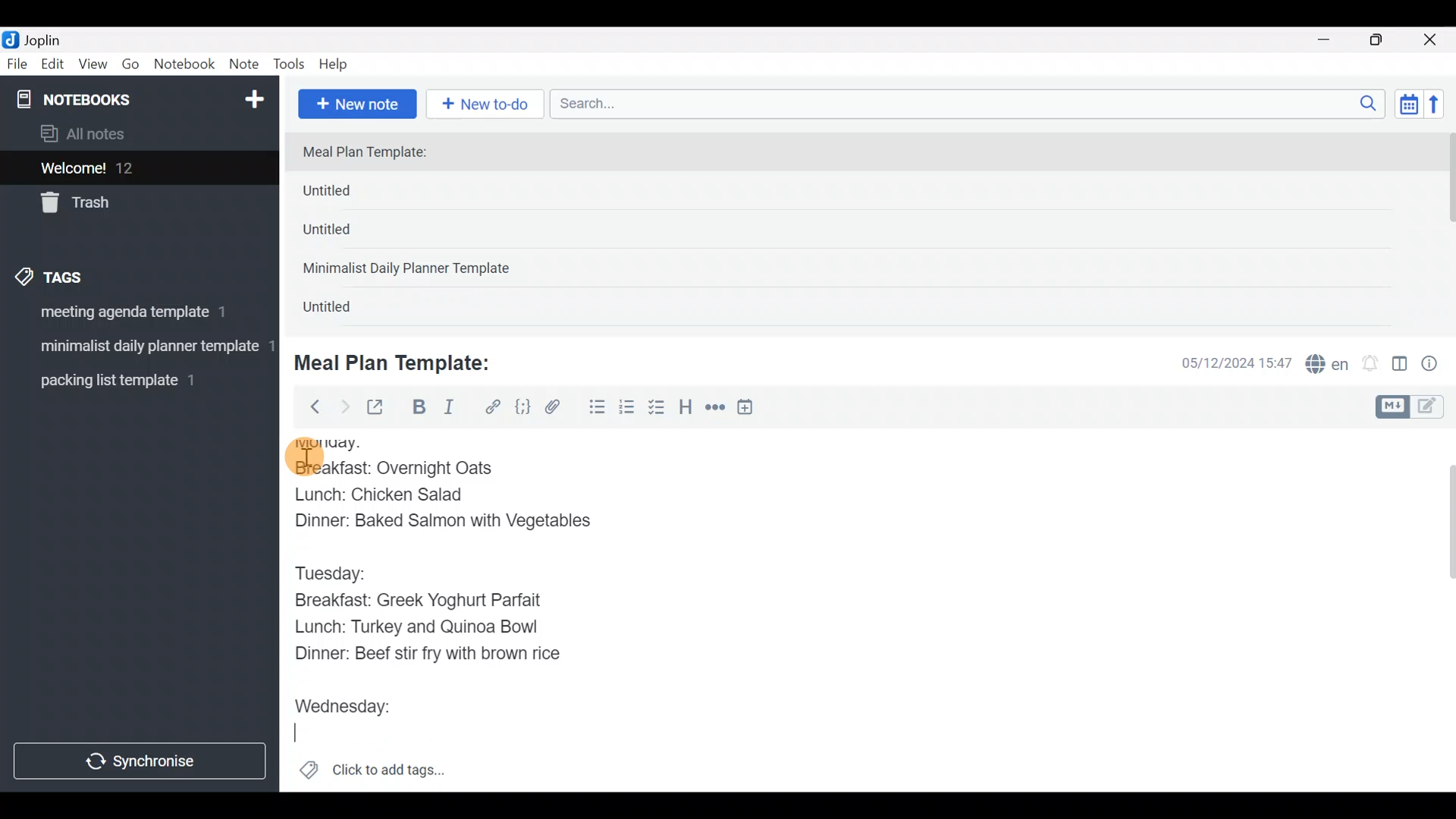 The image size is (1456, 819). What do you see at coordinates (352, 194) in the screenshot?
I see `Untitled` at bounding box center [352, 194].